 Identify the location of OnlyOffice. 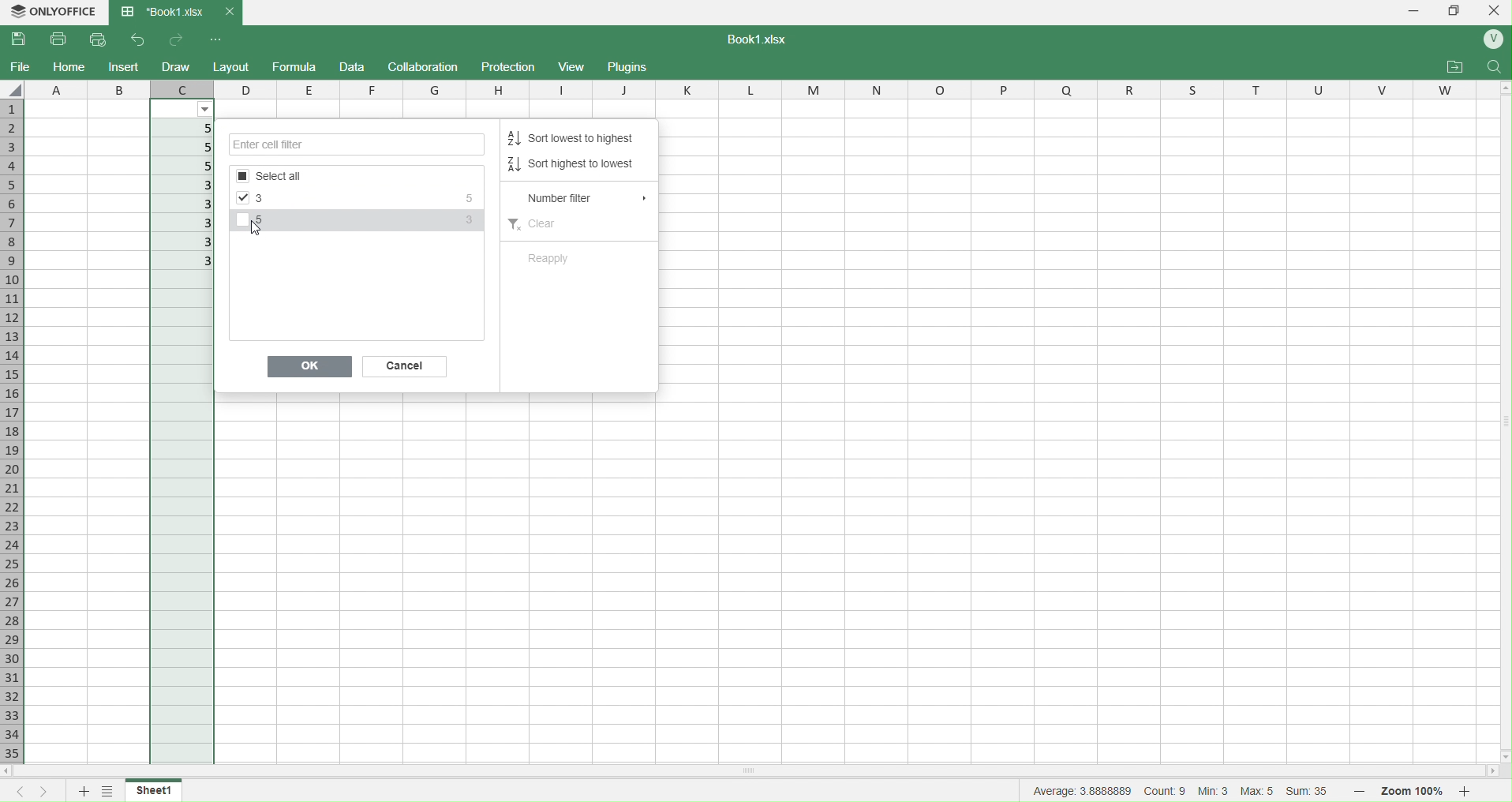
(56, 11).